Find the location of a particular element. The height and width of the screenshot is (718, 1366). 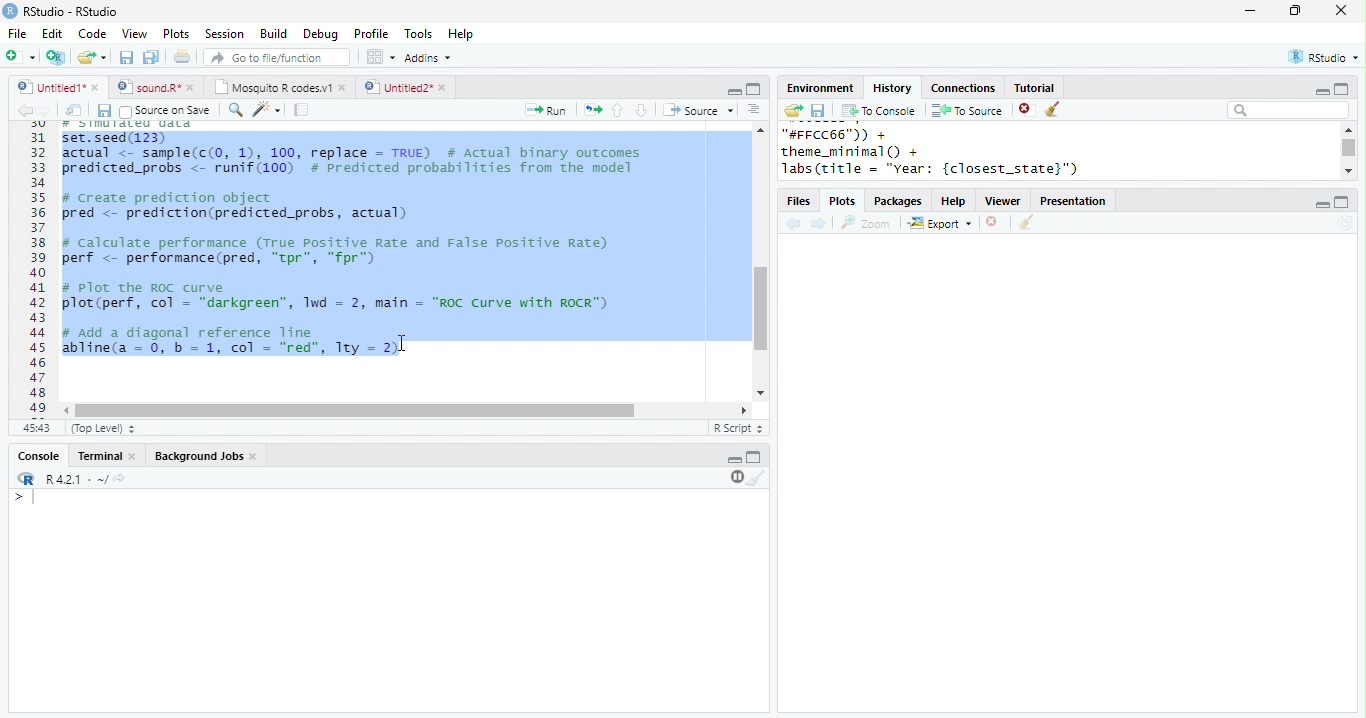

search is located at coordinates (236, 110).